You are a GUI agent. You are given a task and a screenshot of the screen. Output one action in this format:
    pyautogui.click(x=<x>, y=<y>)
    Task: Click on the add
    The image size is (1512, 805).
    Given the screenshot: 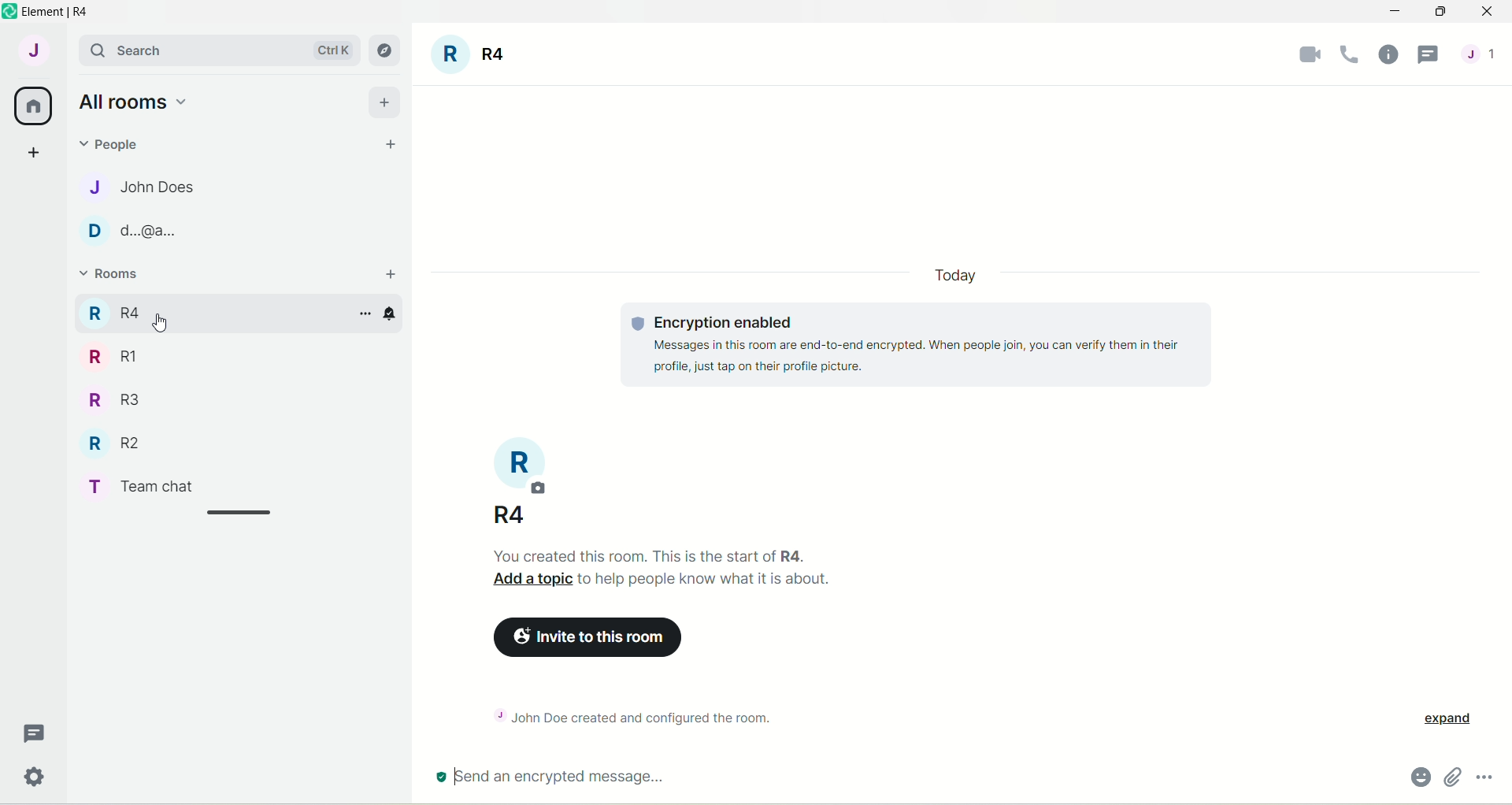 What is the action you would take?
    pyautogui.click(x=385, y=100)
    